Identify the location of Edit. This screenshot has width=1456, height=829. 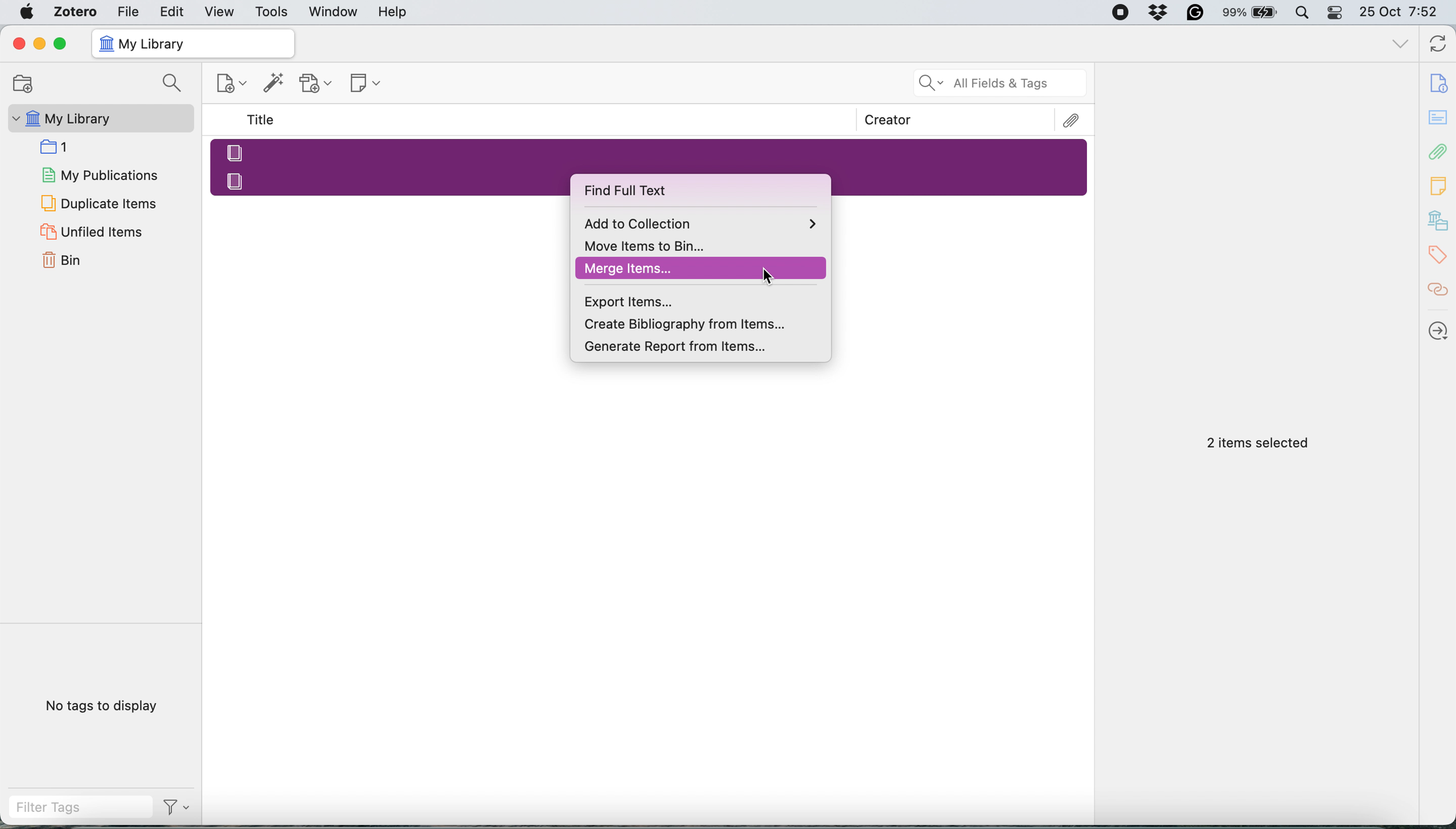
(173, 11).